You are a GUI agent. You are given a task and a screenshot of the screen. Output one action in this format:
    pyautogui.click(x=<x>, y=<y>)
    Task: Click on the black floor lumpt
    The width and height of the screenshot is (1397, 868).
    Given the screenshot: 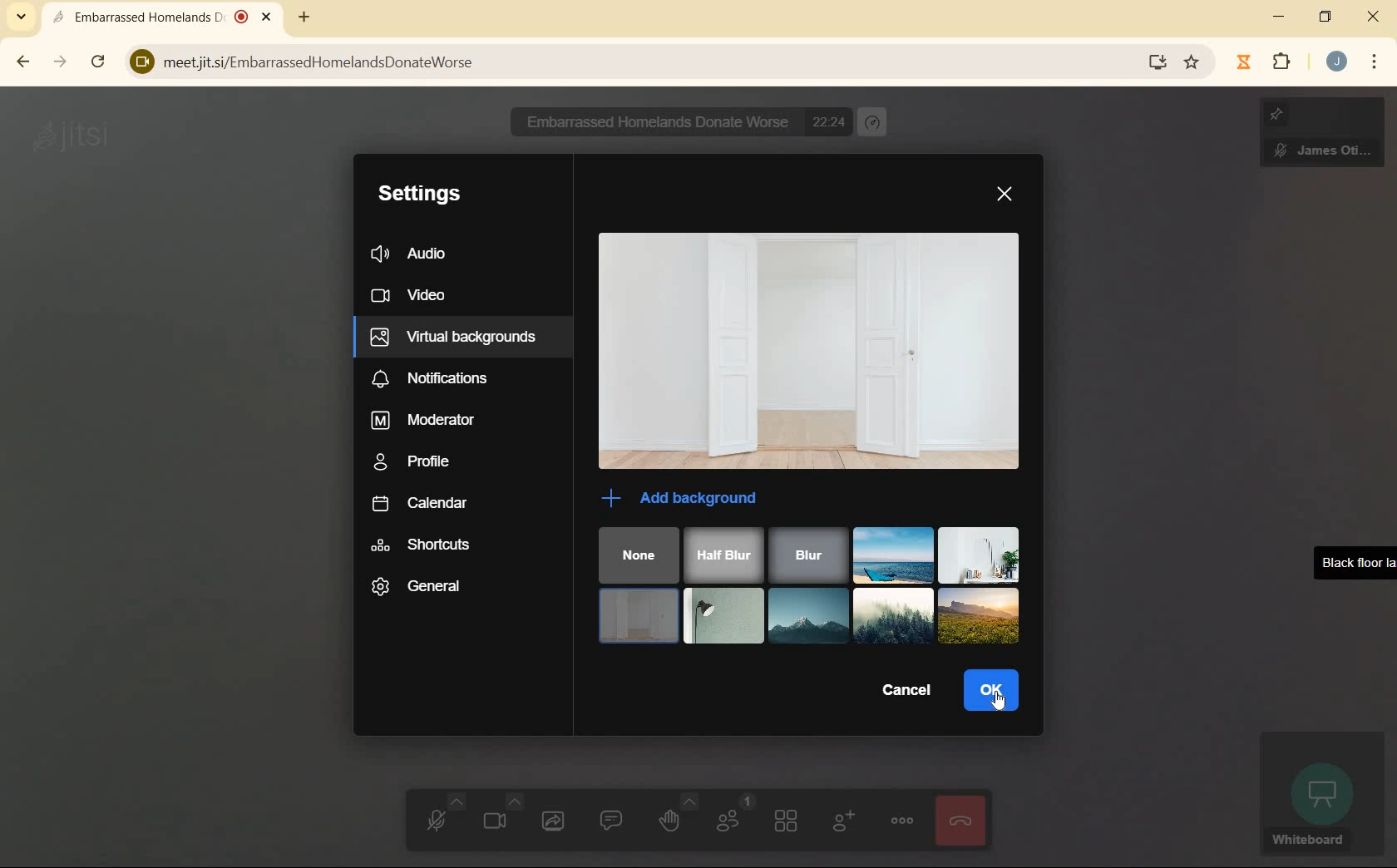 What is the action you would take?
    pyautogui.click(x=723, y=615)
    